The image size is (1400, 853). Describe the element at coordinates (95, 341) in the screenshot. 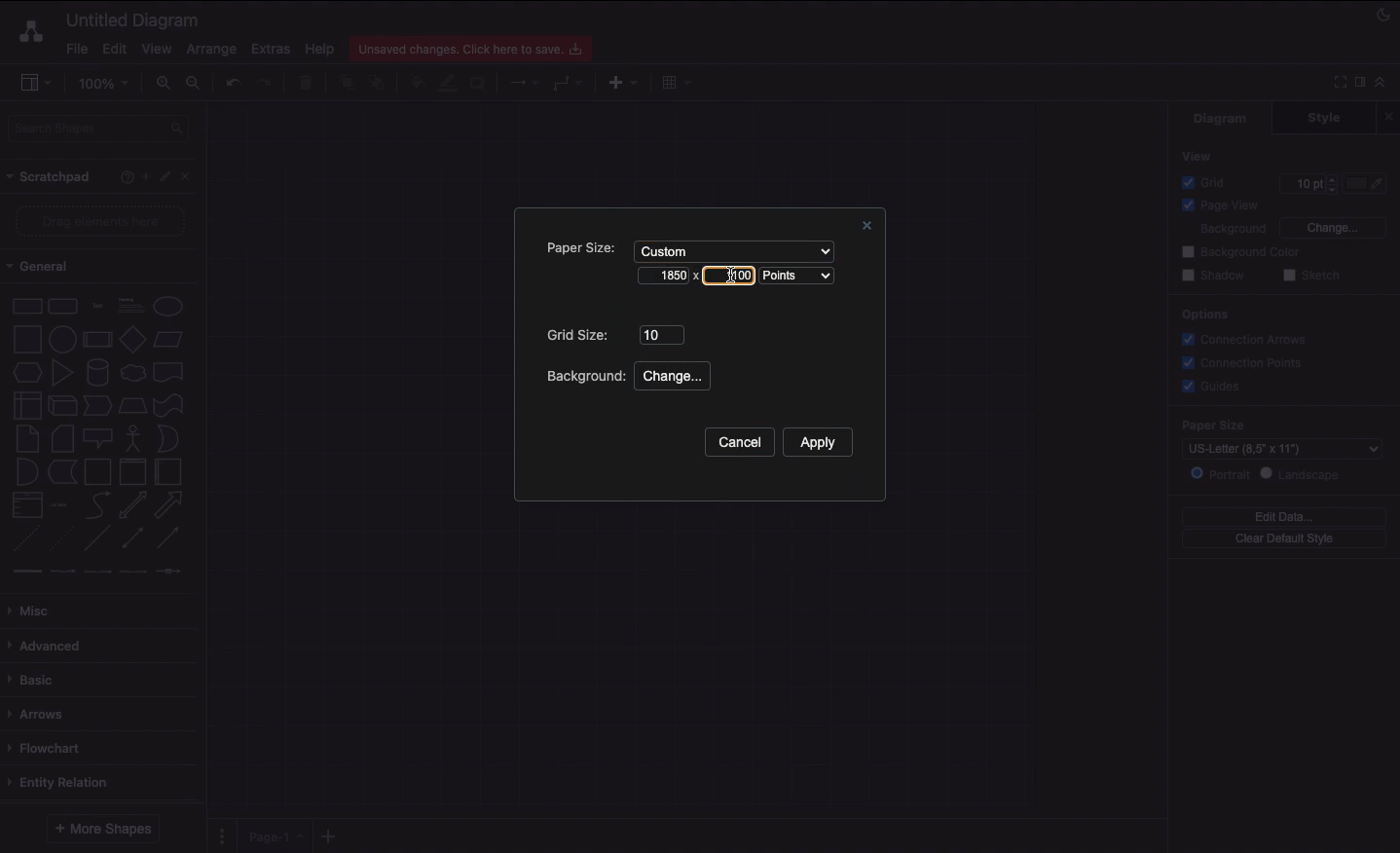

I see `Process` at that location.